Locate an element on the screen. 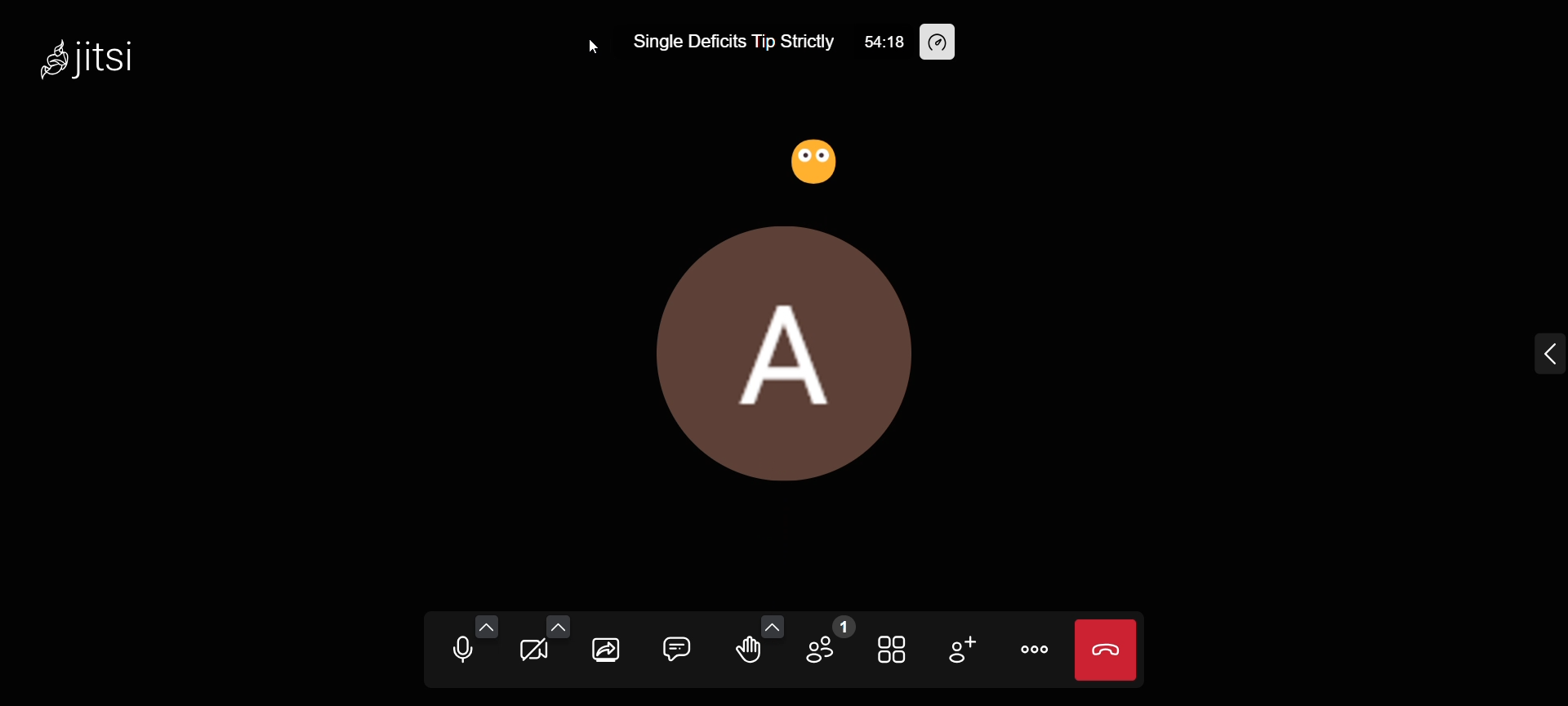 This screenshot has height=706, width=1568. microphone is located at coordinates (452, 654).